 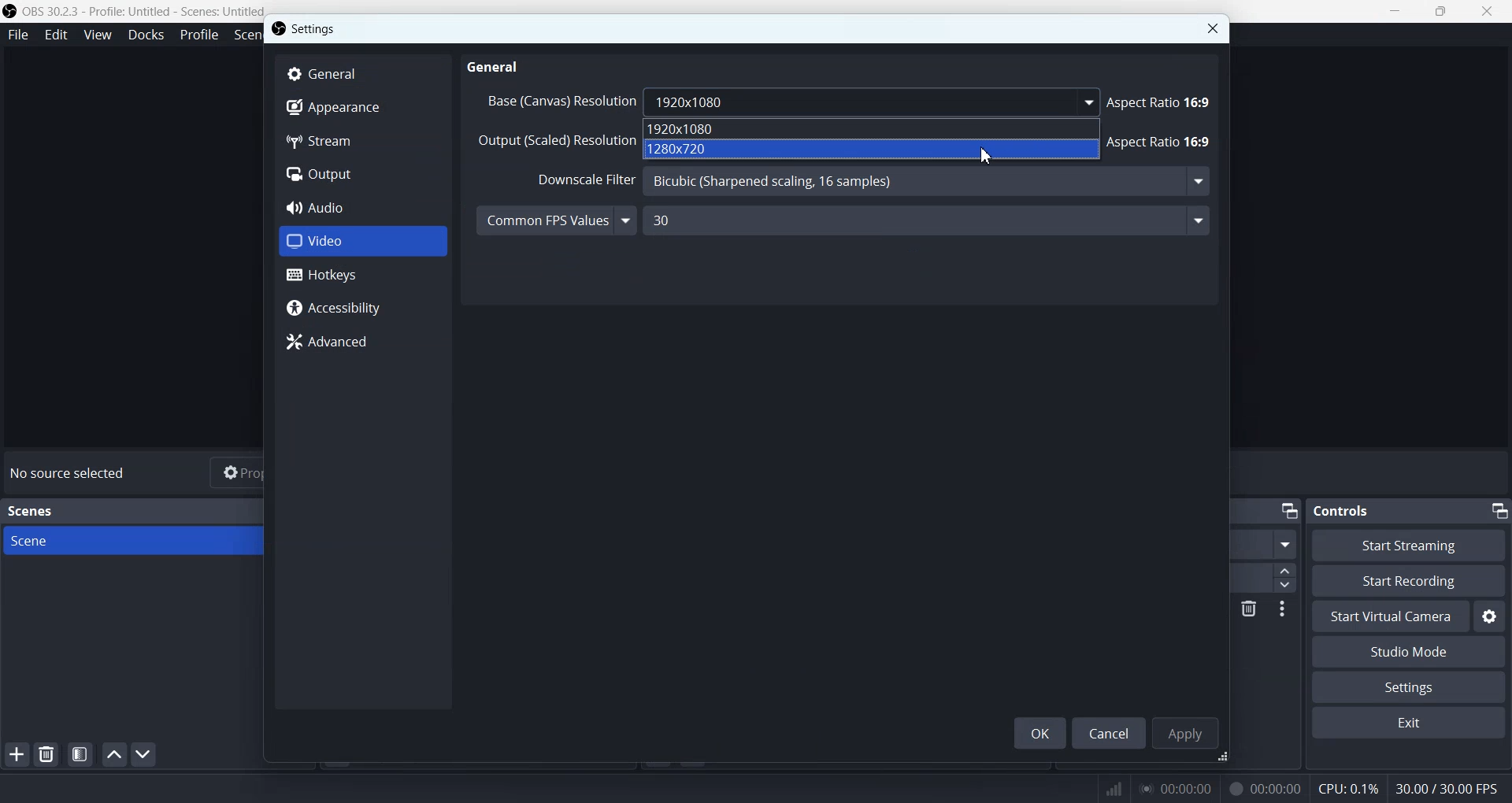 I want to click on Output, so click(x=361, y=173).